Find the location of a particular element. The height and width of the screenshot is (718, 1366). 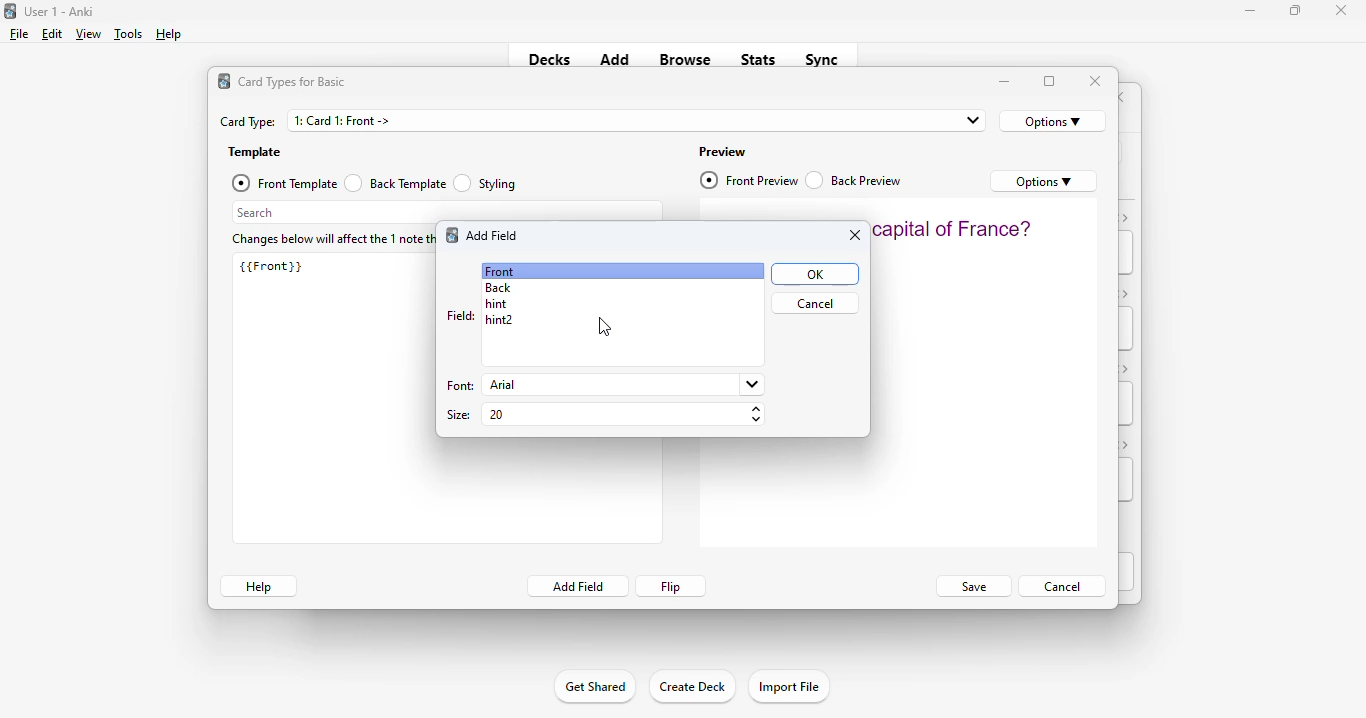

get shared is located at coordinates (594, 686).